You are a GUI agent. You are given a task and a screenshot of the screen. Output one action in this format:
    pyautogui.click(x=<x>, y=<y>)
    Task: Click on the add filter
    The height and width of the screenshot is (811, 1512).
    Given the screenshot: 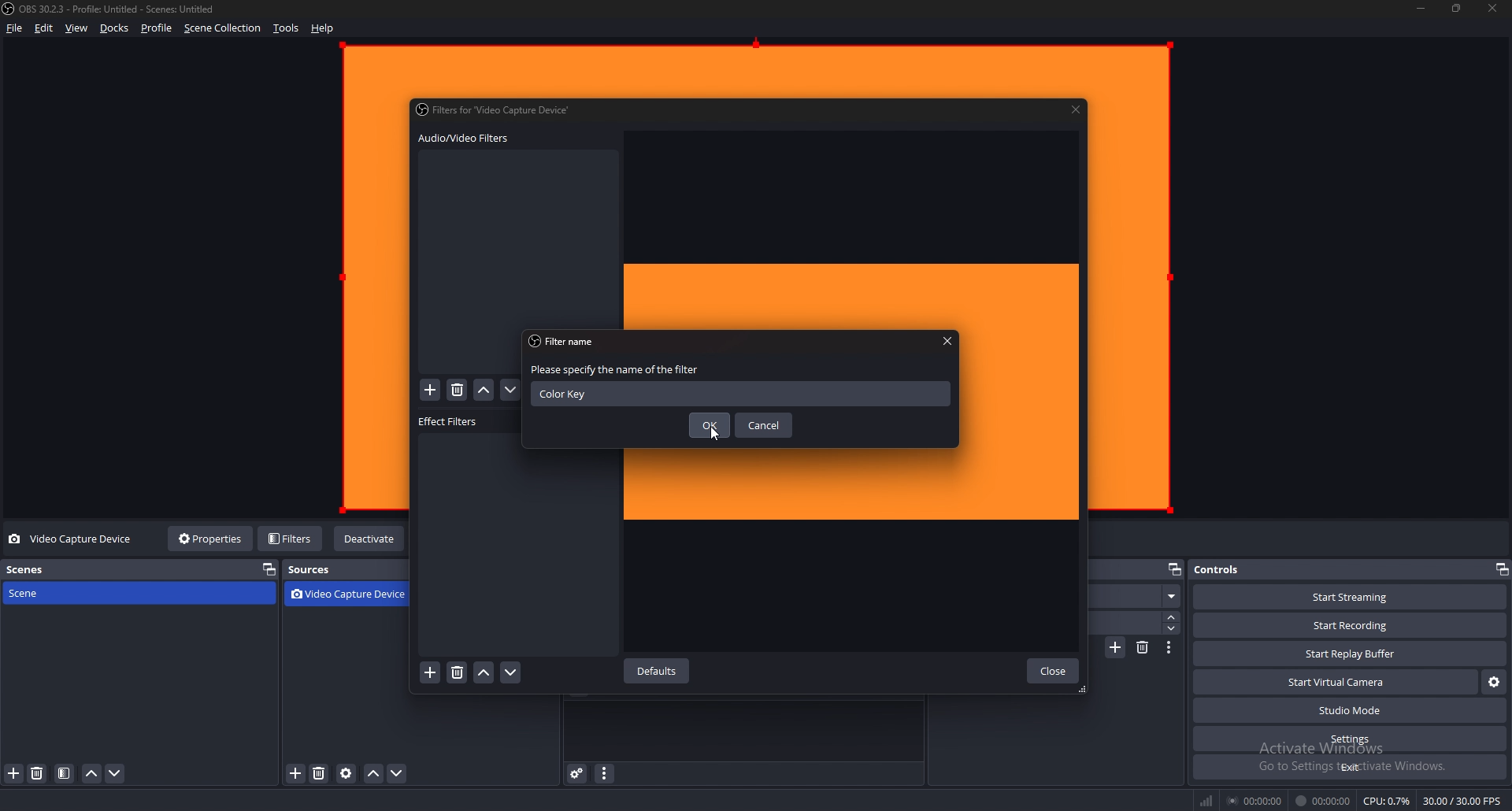 What is the action you would take?
    pyautogui.click(x=431, y=673)
    